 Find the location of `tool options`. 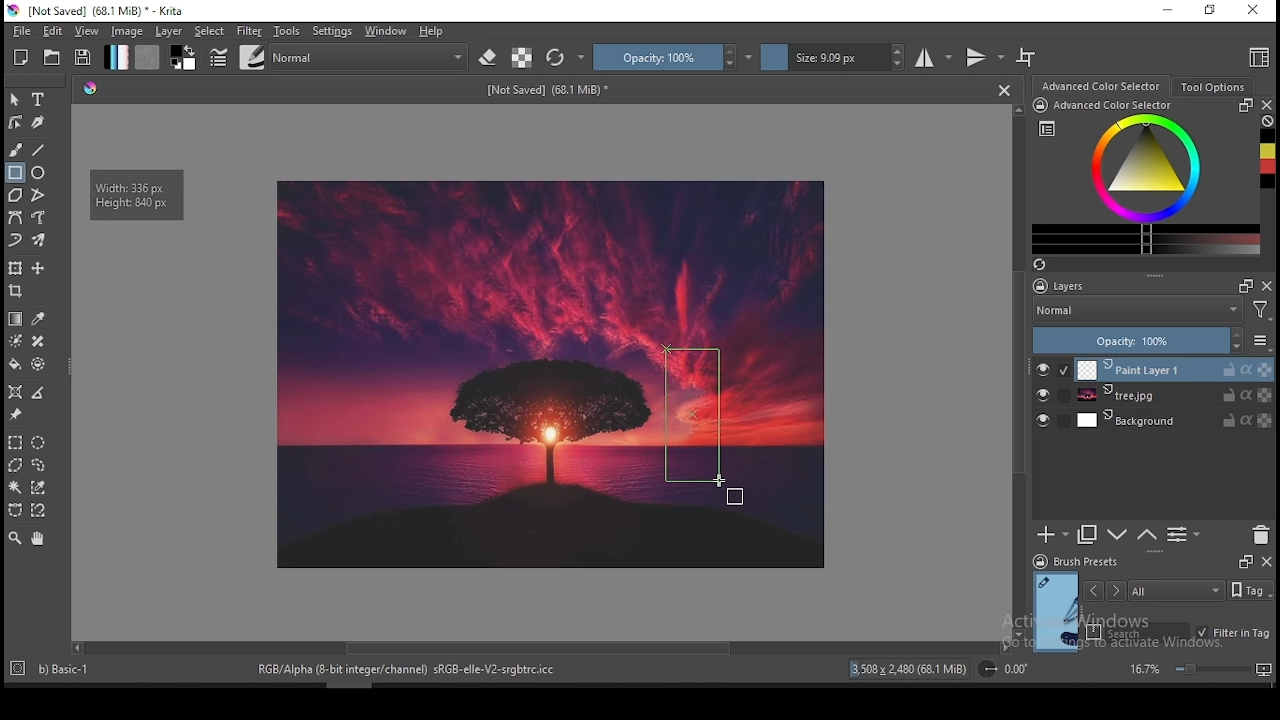

tool options is located at coordinates (1211, 86).